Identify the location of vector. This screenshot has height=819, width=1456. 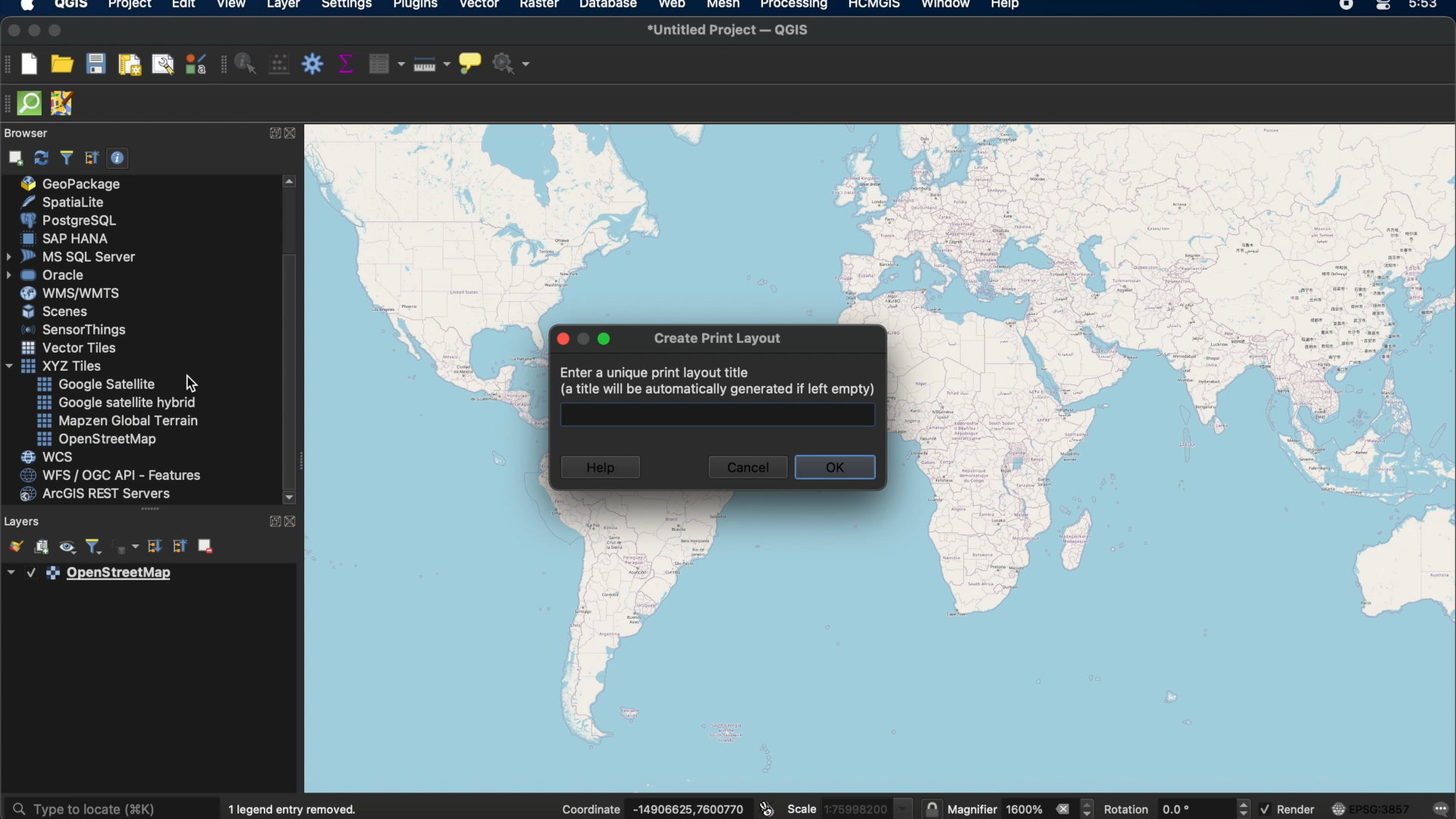
(480, 6).